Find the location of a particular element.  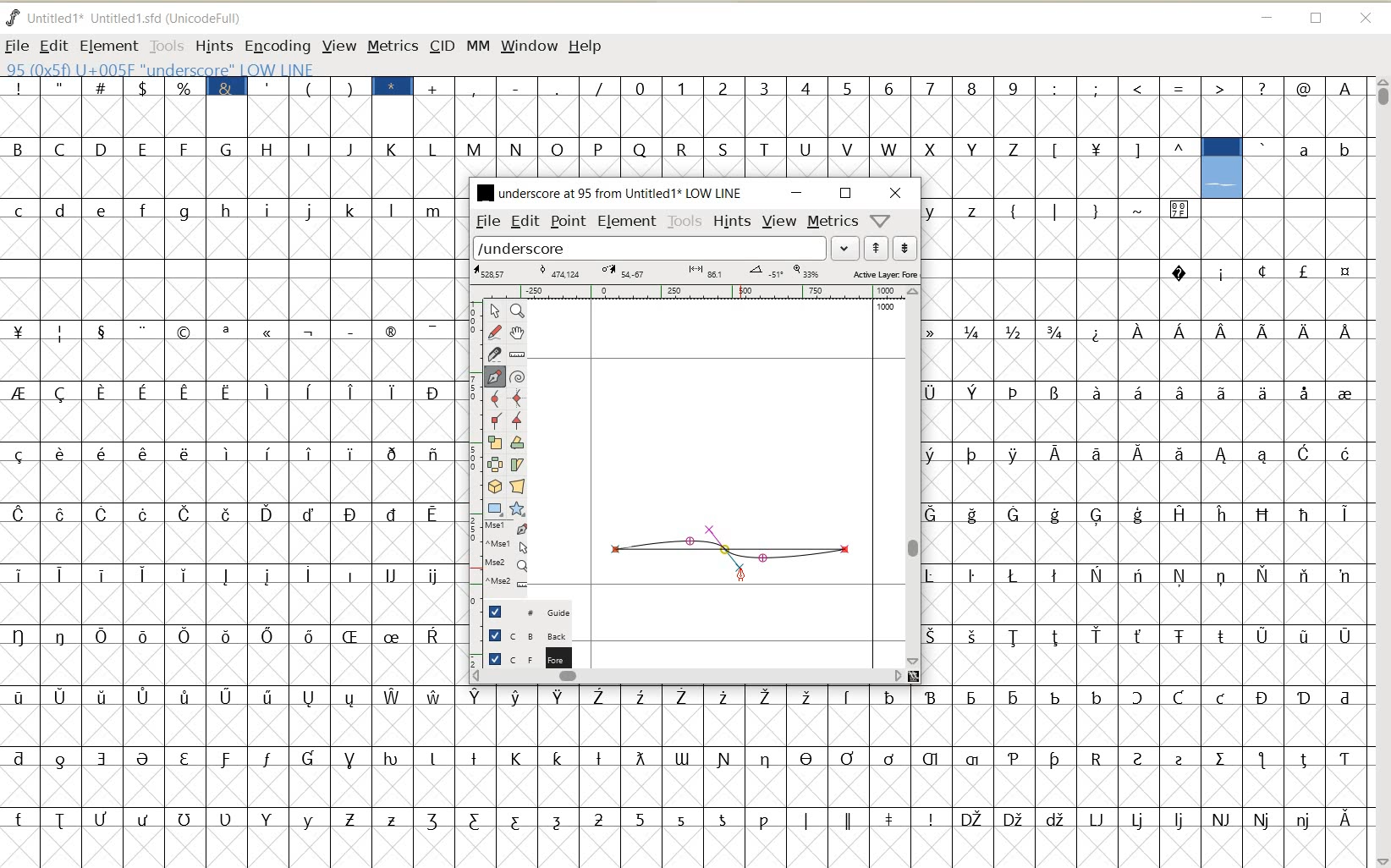

HINTS is located at coordinates (213, 46).